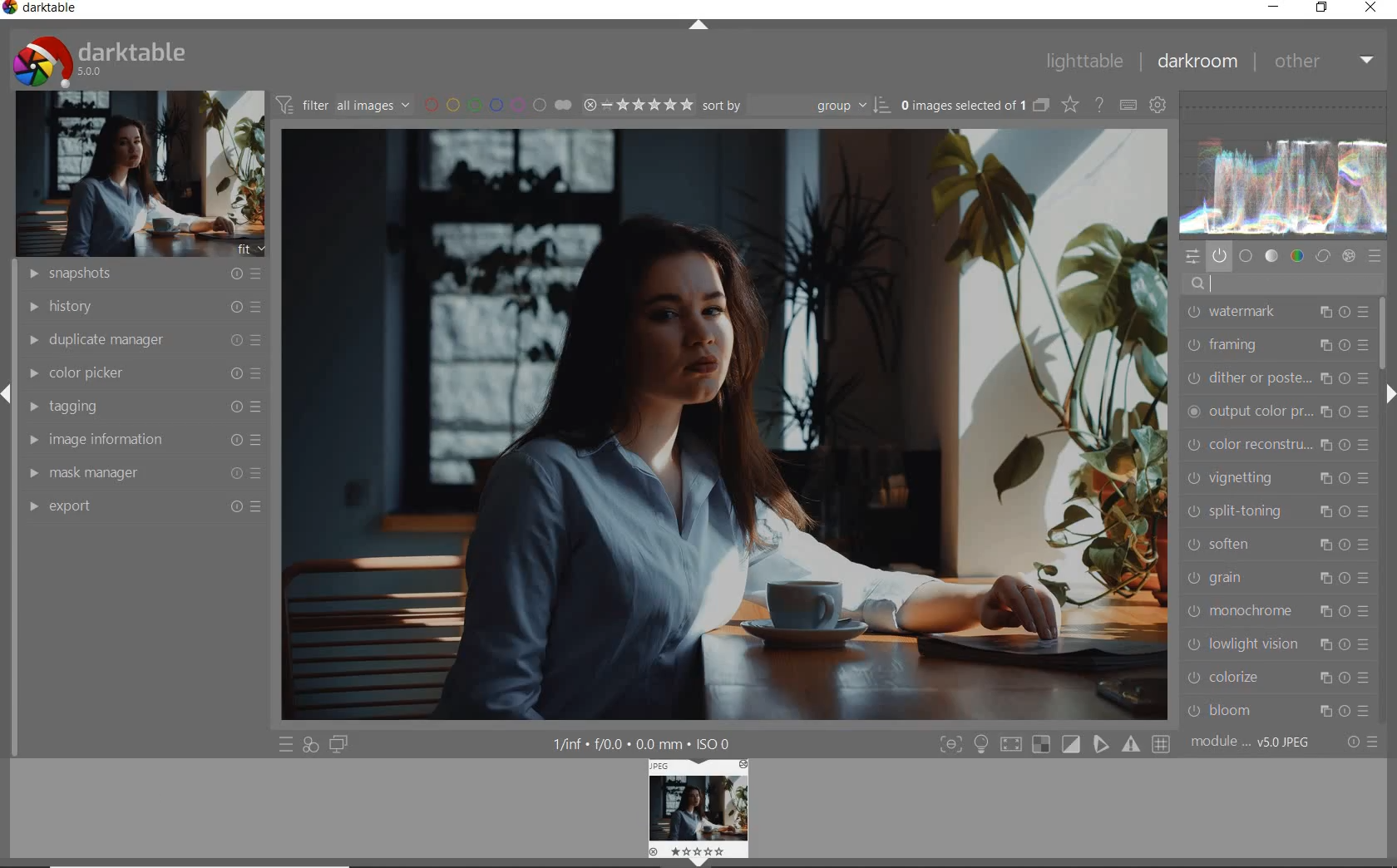  Describe the element at coordinates (1274, 678) in the screenshot. I see `colorize` at that location.